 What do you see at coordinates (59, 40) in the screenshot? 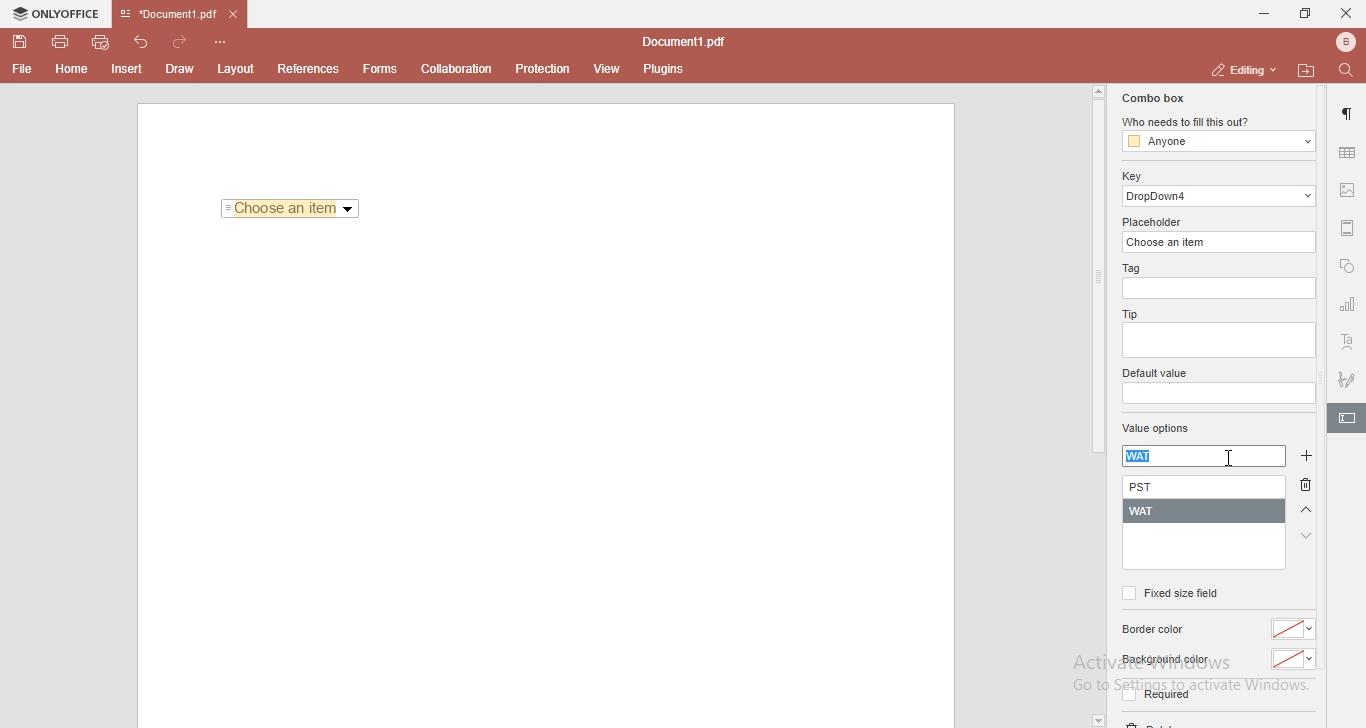
I see `print` at bounding box center [59, 40].